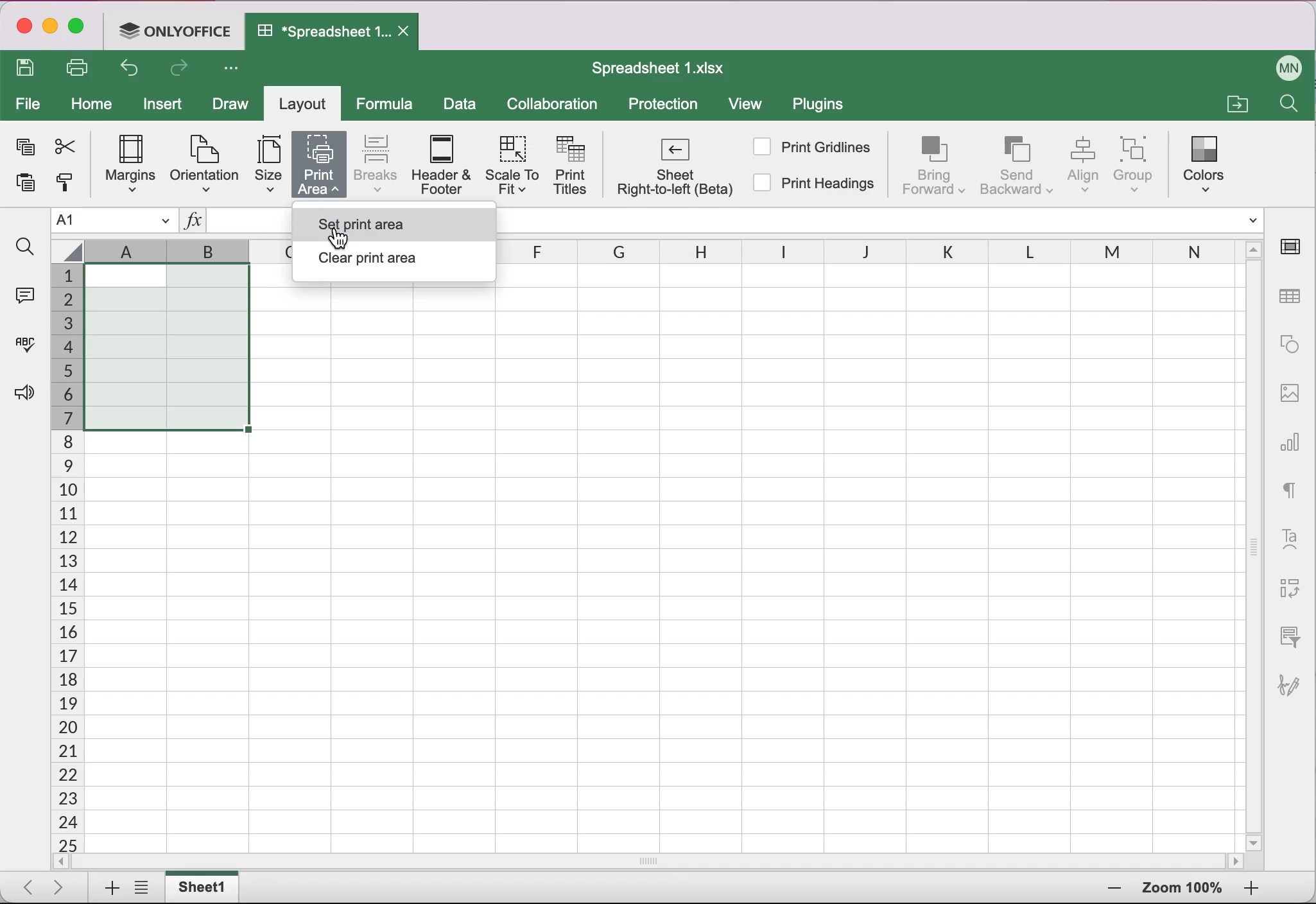  Describe the element at coordinates (28, 105) in the screenshot. I see `file` at that location.